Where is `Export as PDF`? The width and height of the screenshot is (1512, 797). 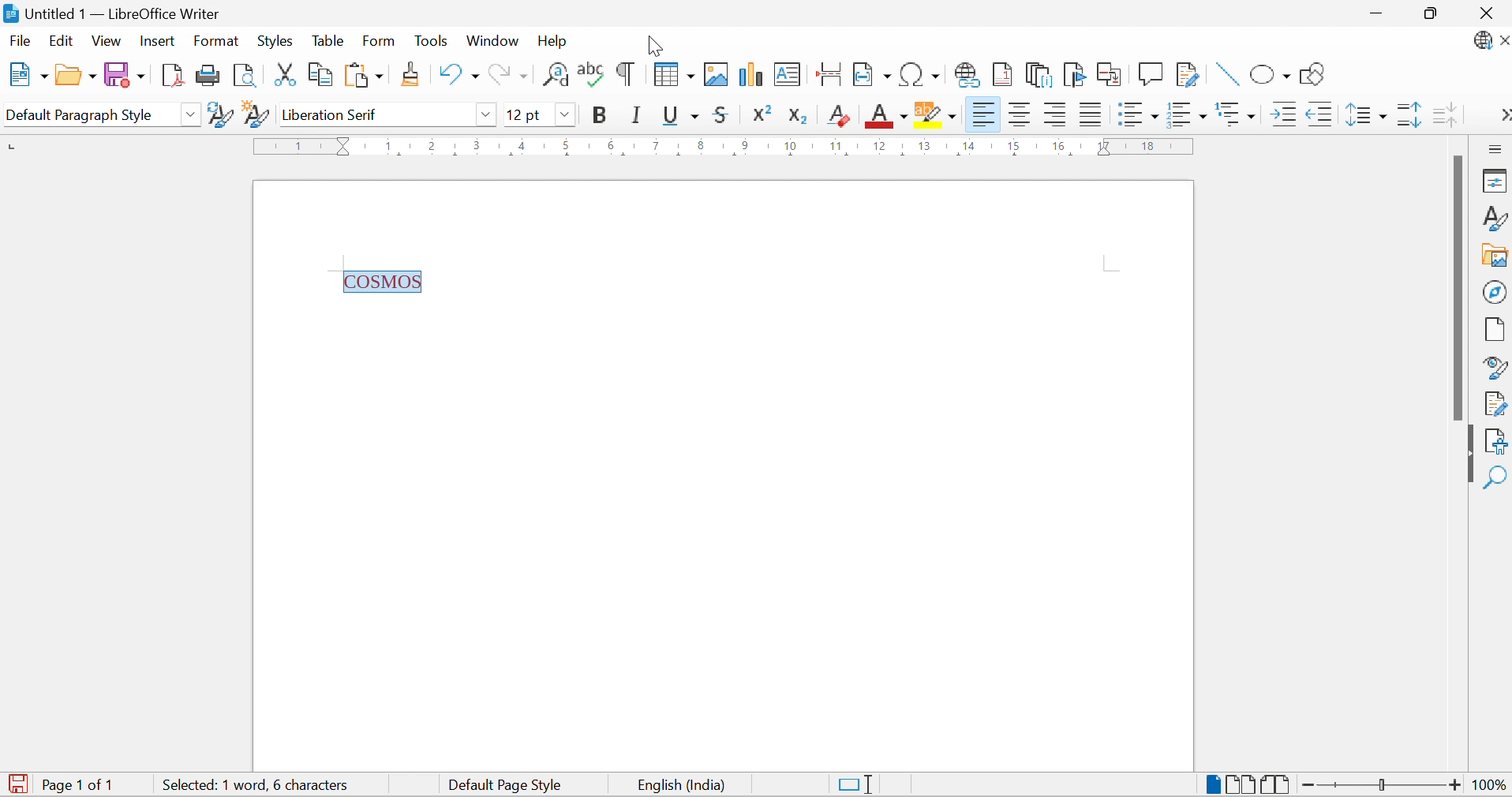 Export as PDF is located at coordinates (170, 74).